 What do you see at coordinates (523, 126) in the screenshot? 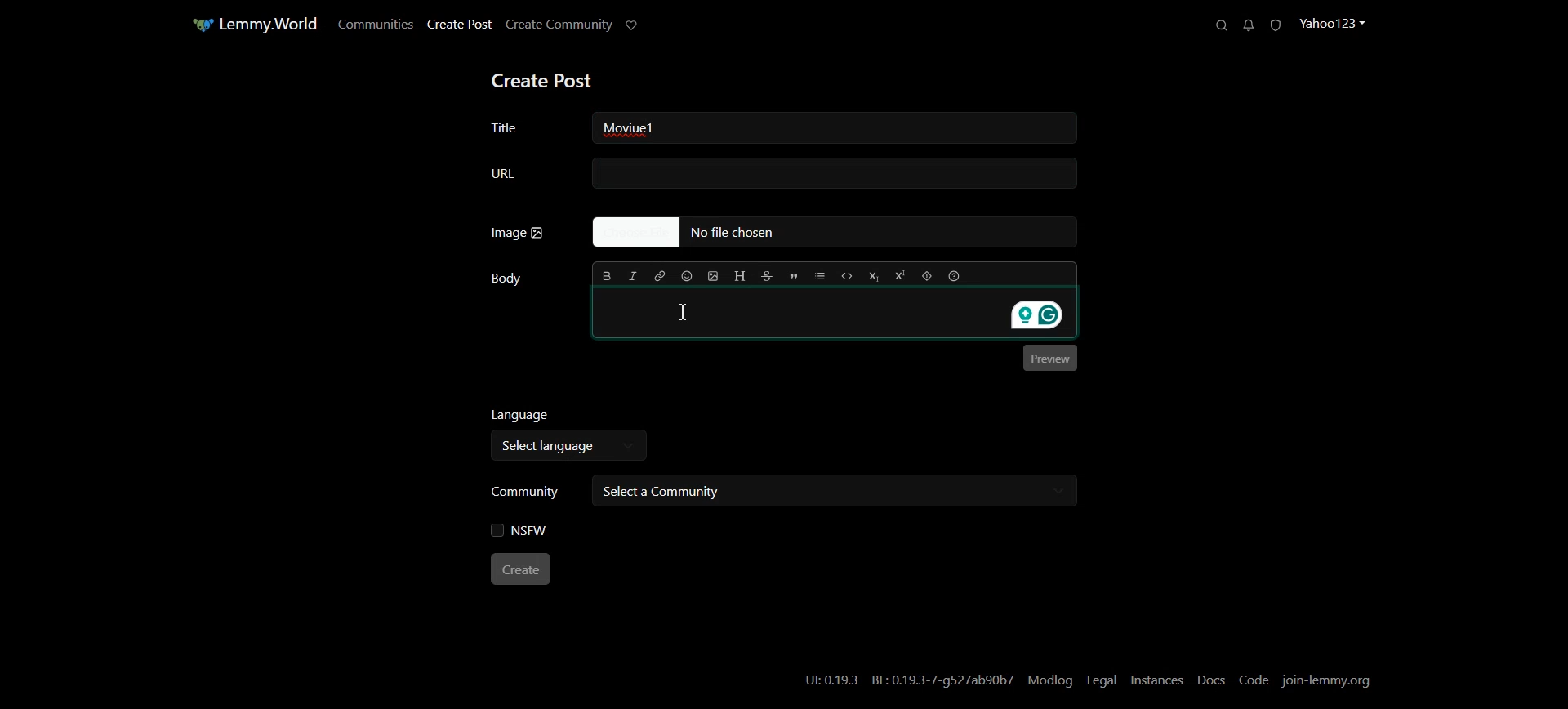
I see `Title` at bounding box center [523, 126].